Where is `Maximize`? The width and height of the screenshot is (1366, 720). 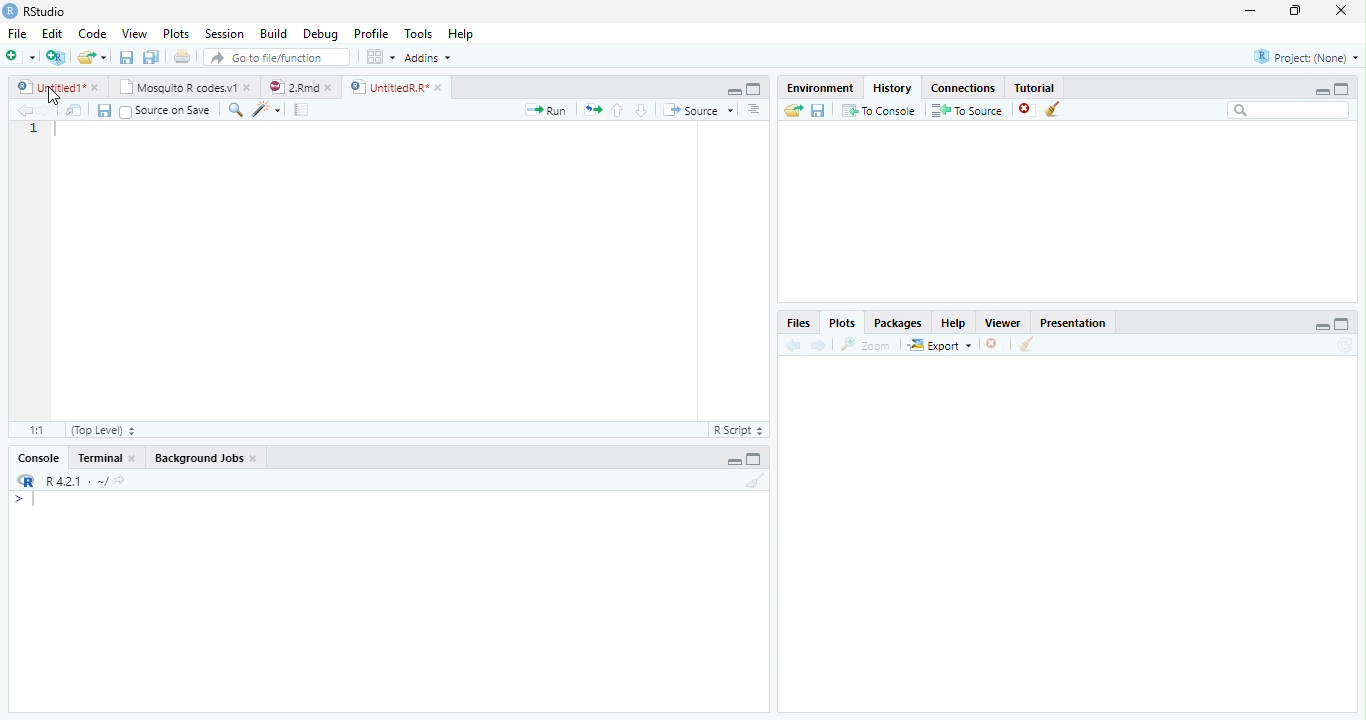 Maximize is located at coordinates (1294, 10).